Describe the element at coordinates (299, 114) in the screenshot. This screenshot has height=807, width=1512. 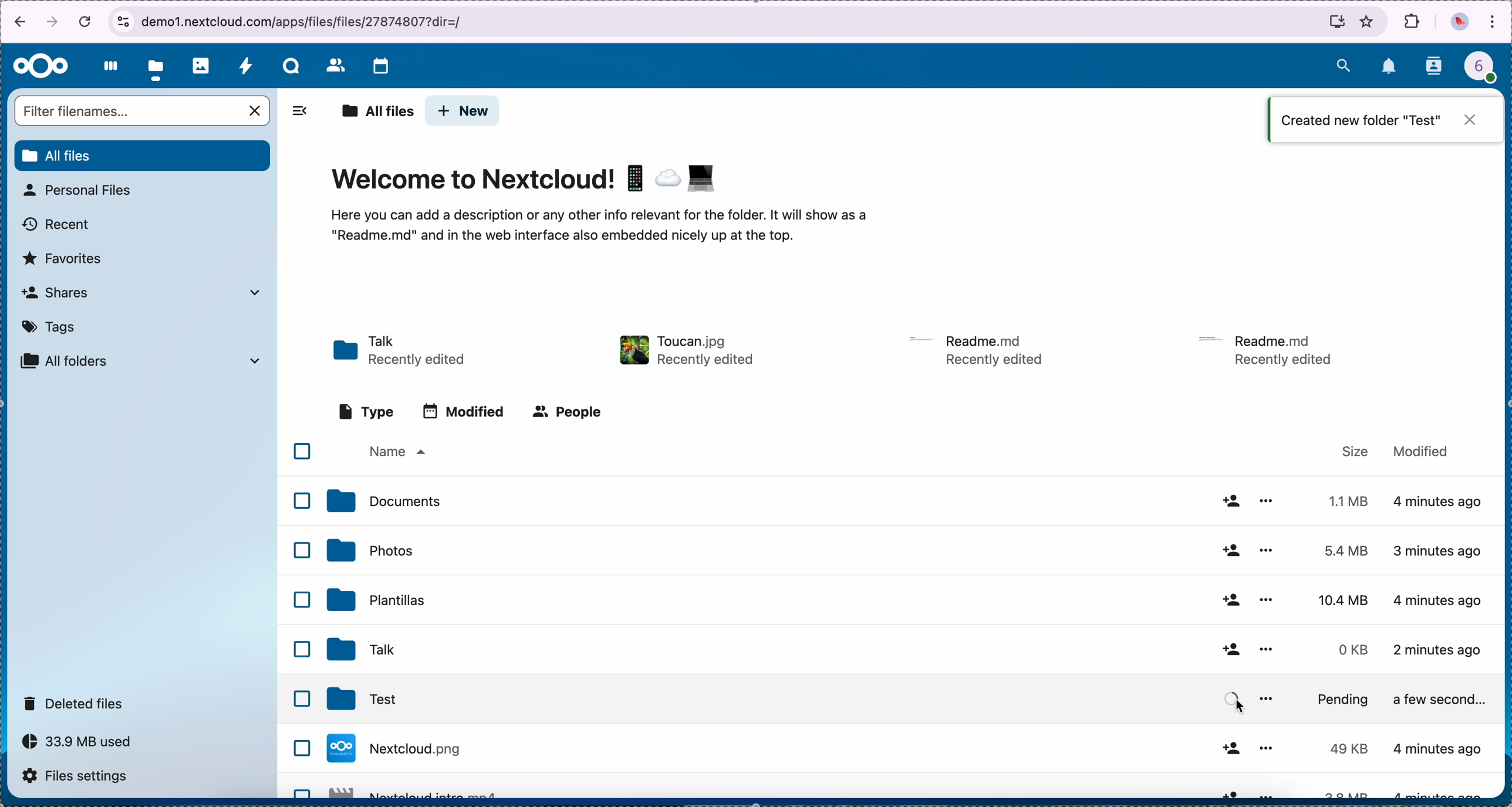
I see `hide tabs` at that location.